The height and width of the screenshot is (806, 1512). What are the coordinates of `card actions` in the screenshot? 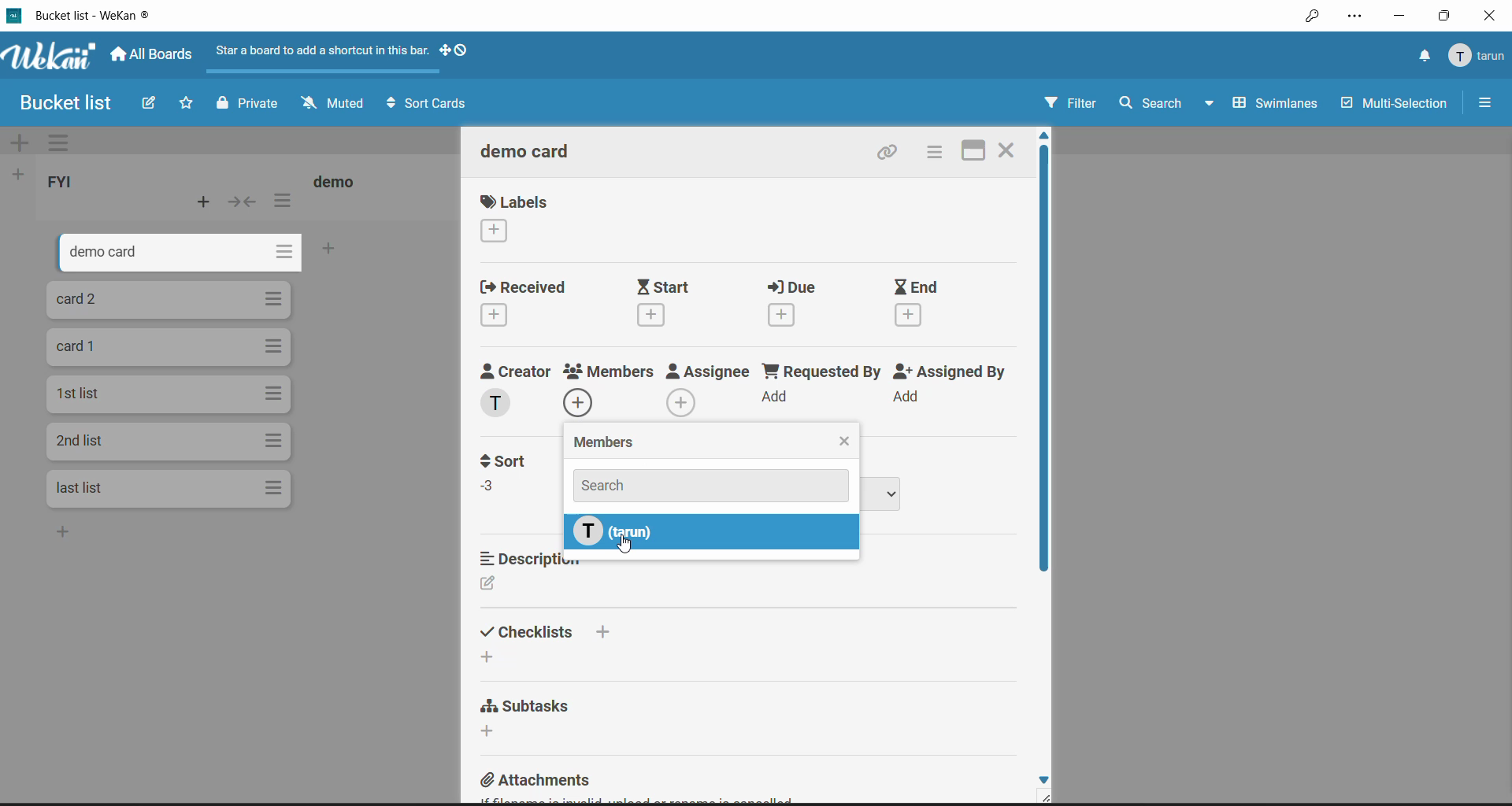 It's located at (276, 394).